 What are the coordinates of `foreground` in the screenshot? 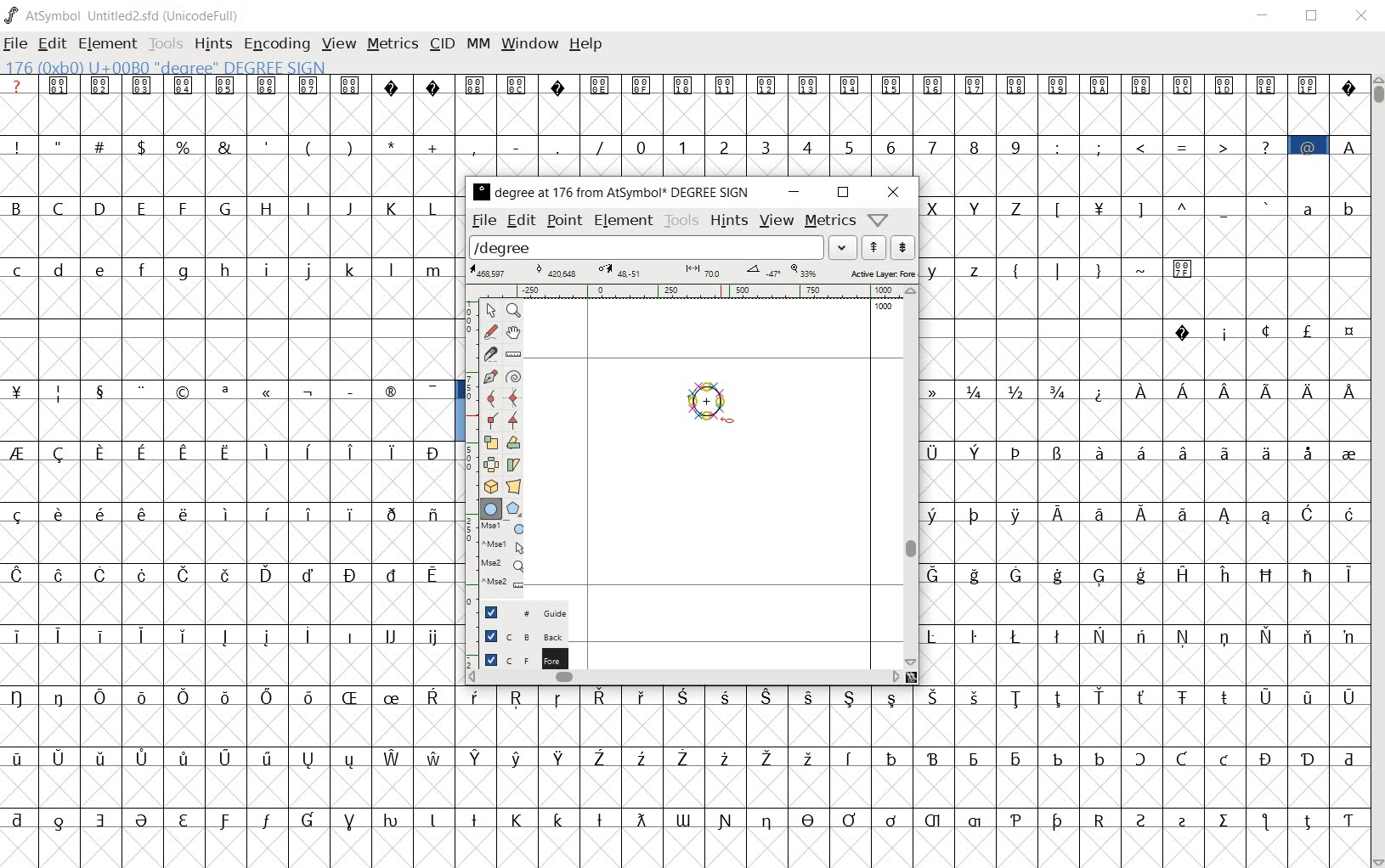 It's located at (516, 661).